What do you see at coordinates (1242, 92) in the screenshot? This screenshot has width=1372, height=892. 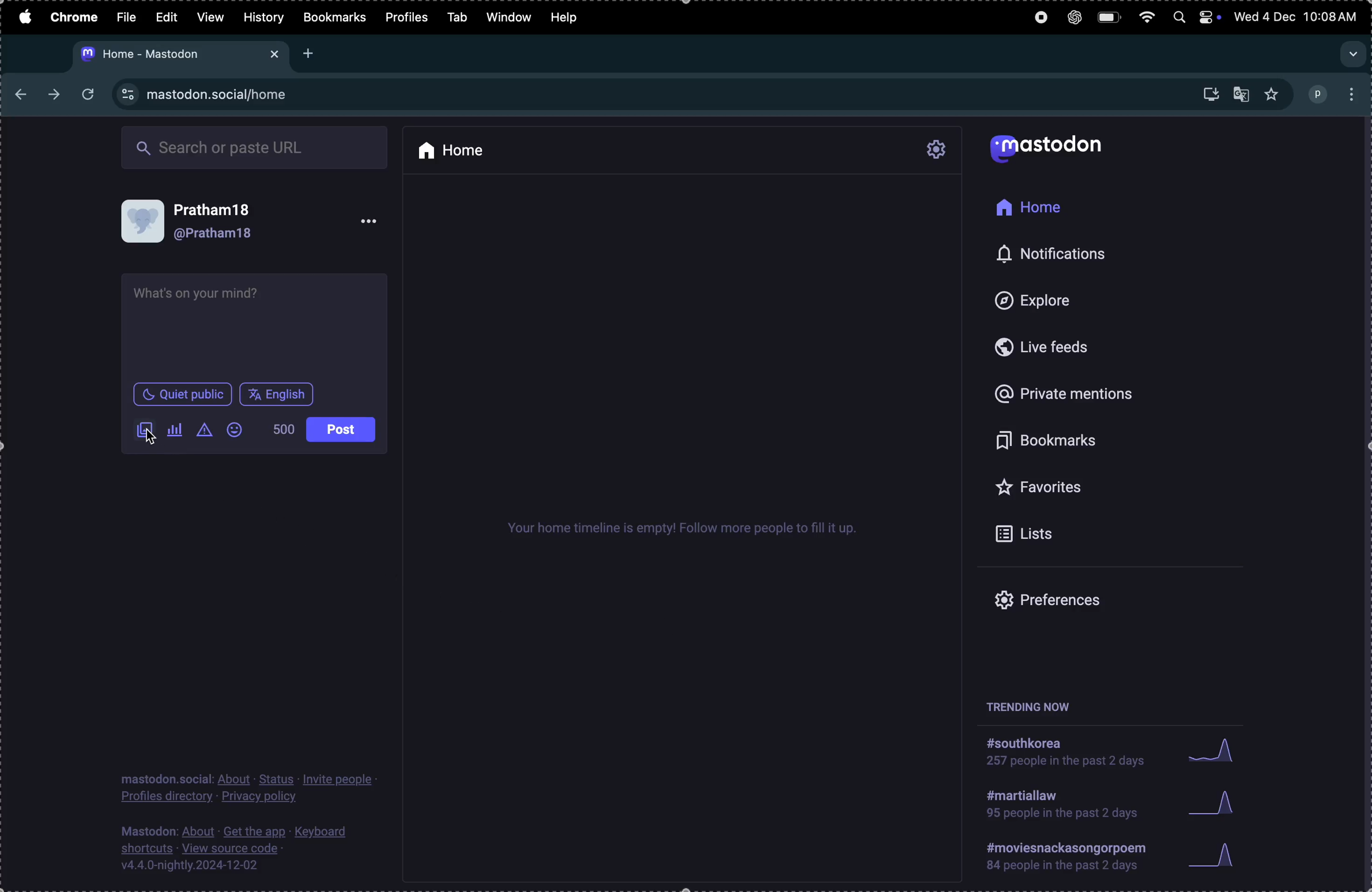 I see `translate` at bounding box center [1242, 92].